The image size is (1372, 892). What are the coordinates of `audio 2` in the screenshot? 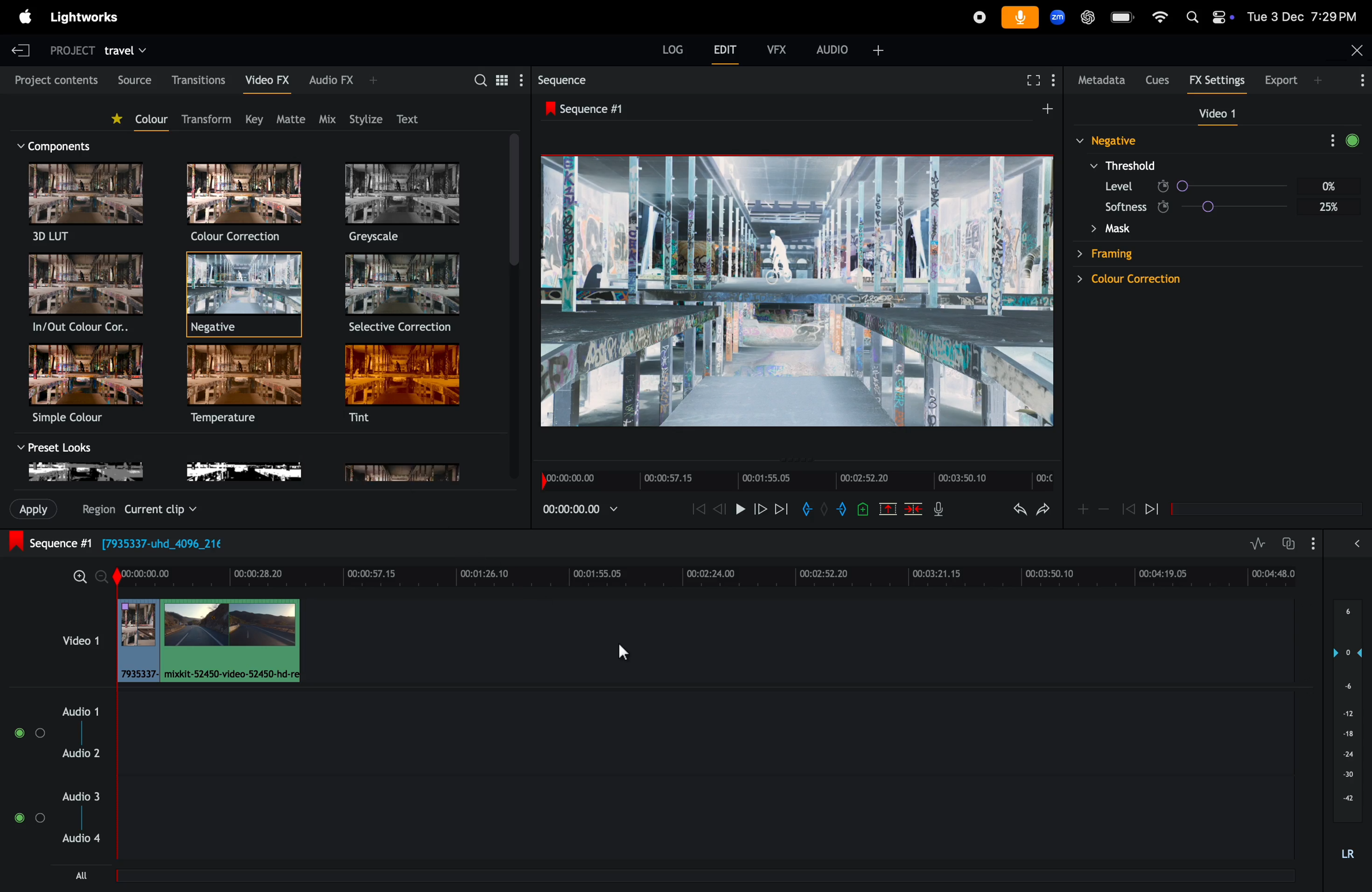 It's located at (87, 753).